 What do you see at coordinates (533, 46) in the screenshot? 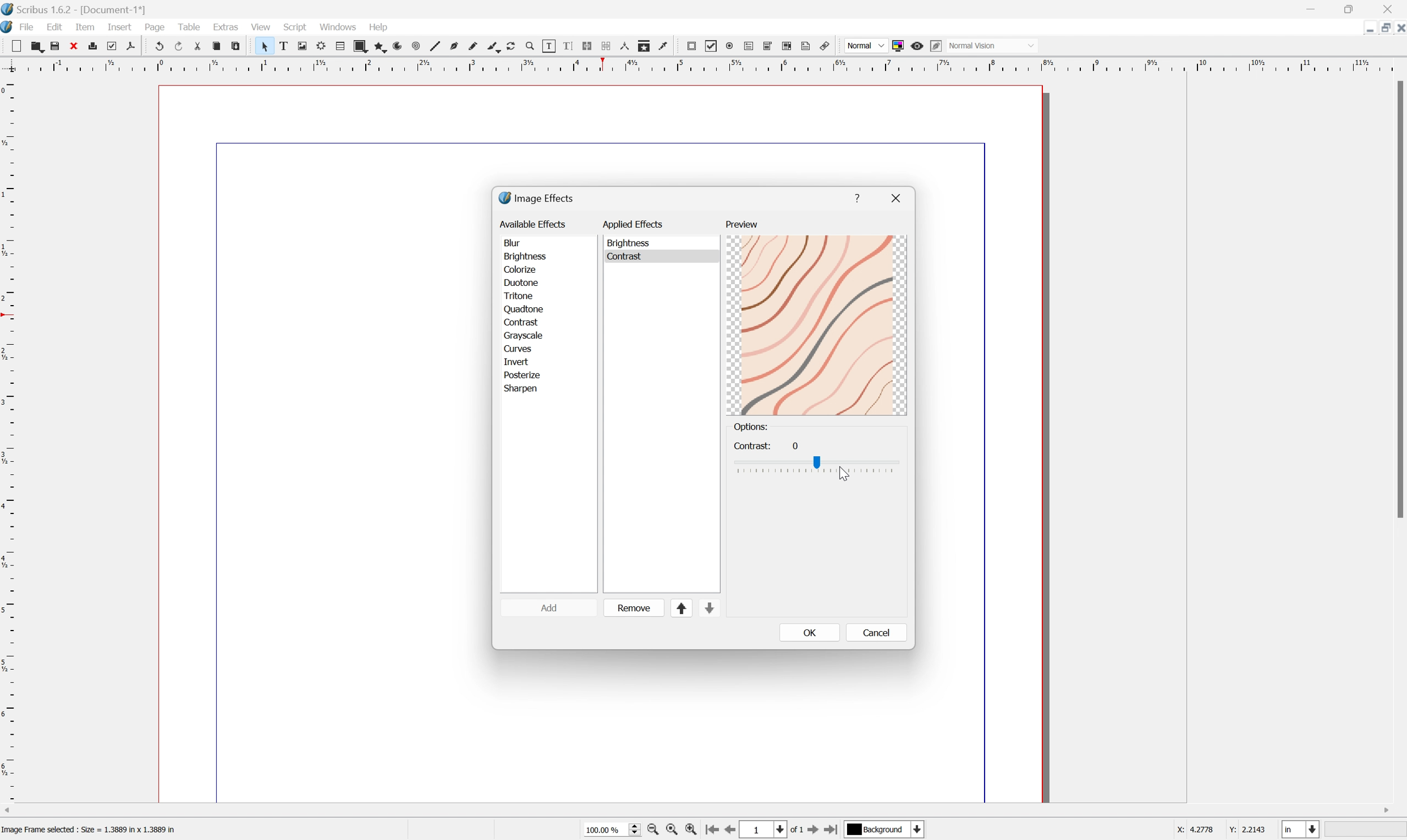
I see `Zoom in or out` at bounding box center [533, 46].